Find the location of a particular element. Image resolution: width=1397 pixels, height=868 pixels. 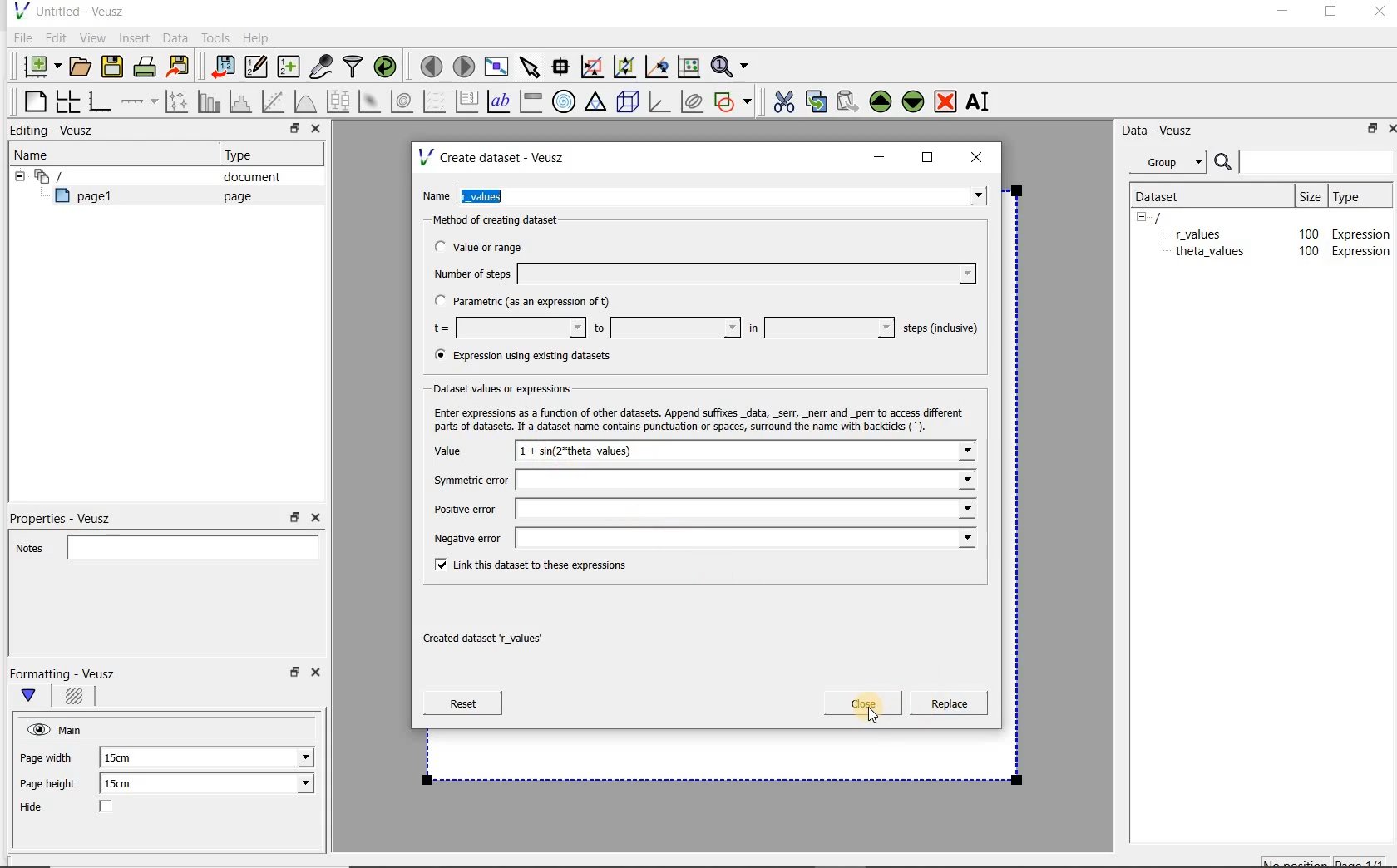

page1/1 is located at coordinates (1366, 861).